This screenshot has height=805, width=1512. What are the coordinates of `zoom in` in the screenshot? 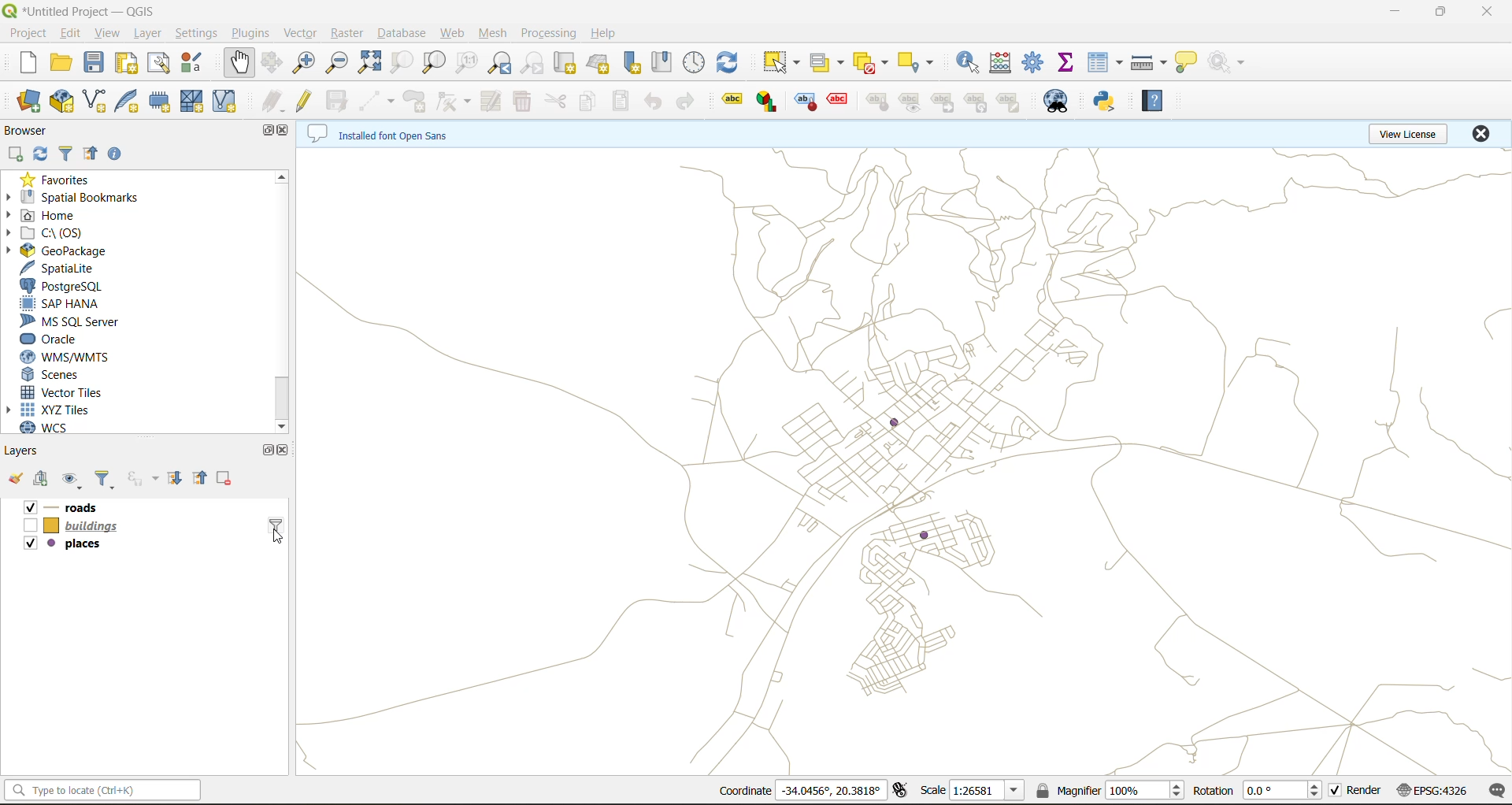 It's located at (302, 63).